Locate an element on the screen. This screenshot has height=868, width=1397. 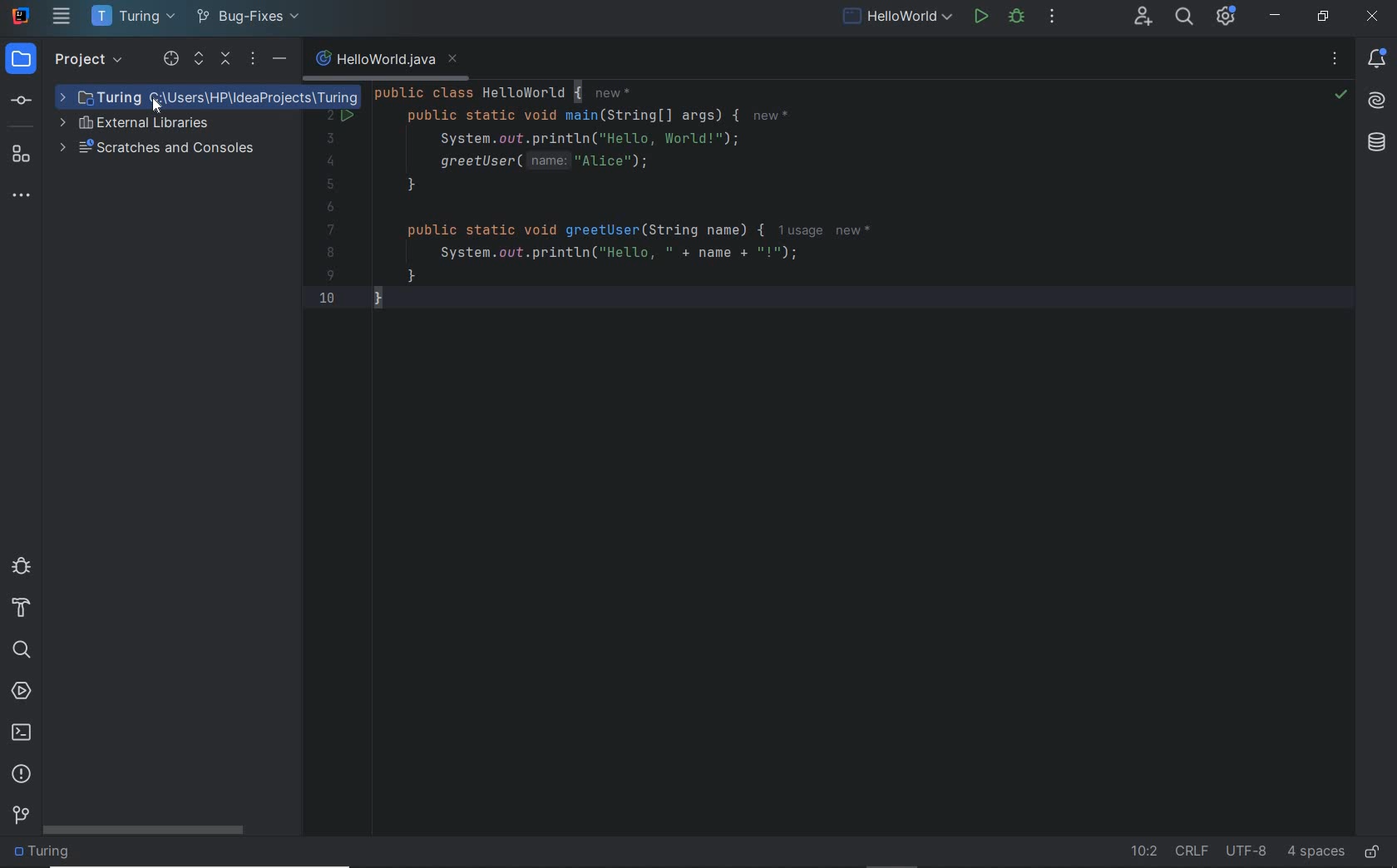
cursor is located at coordinates (158, 106).